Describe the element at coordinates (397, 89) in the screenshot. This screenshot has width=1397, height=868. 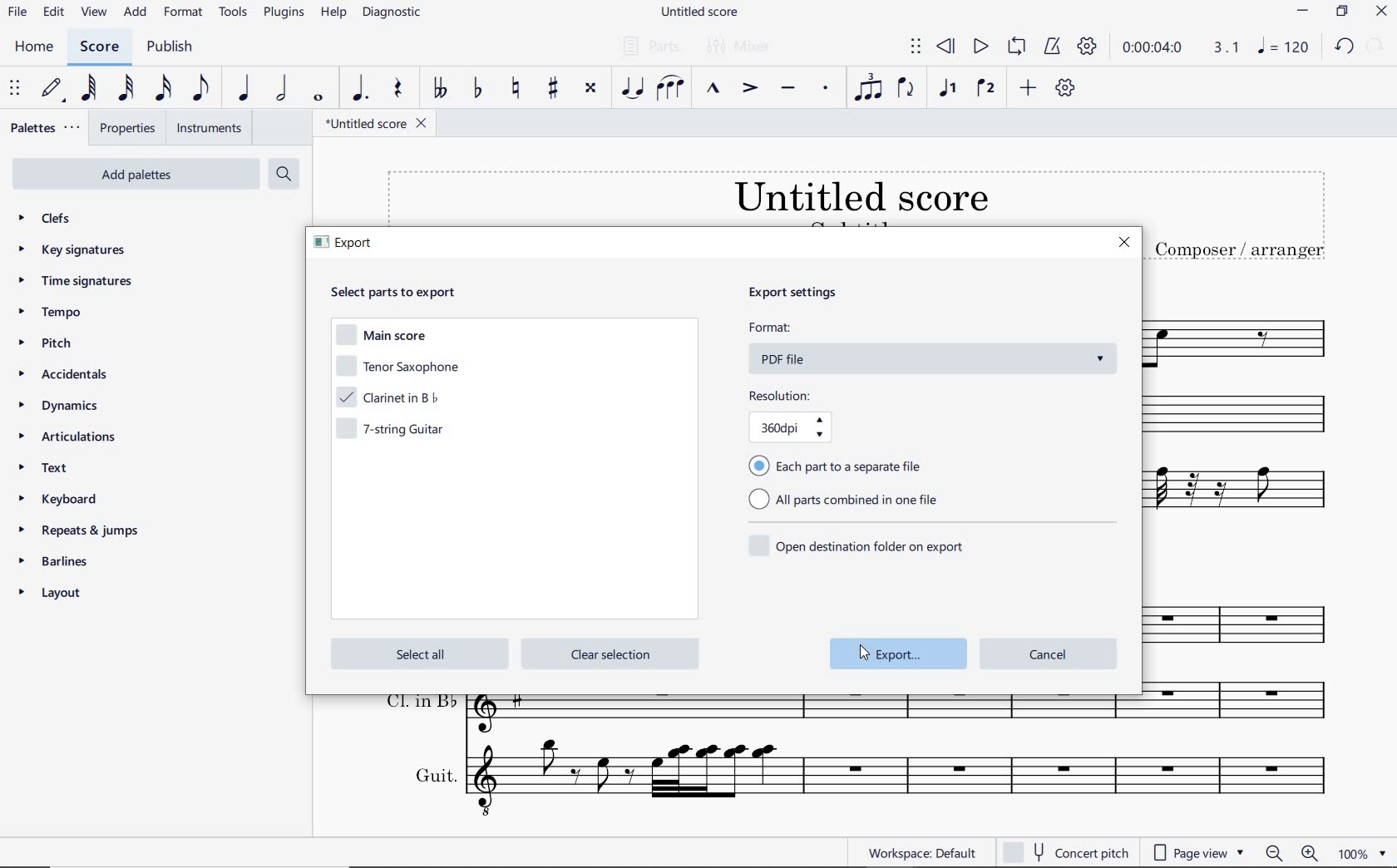
I see `REST` at that location.